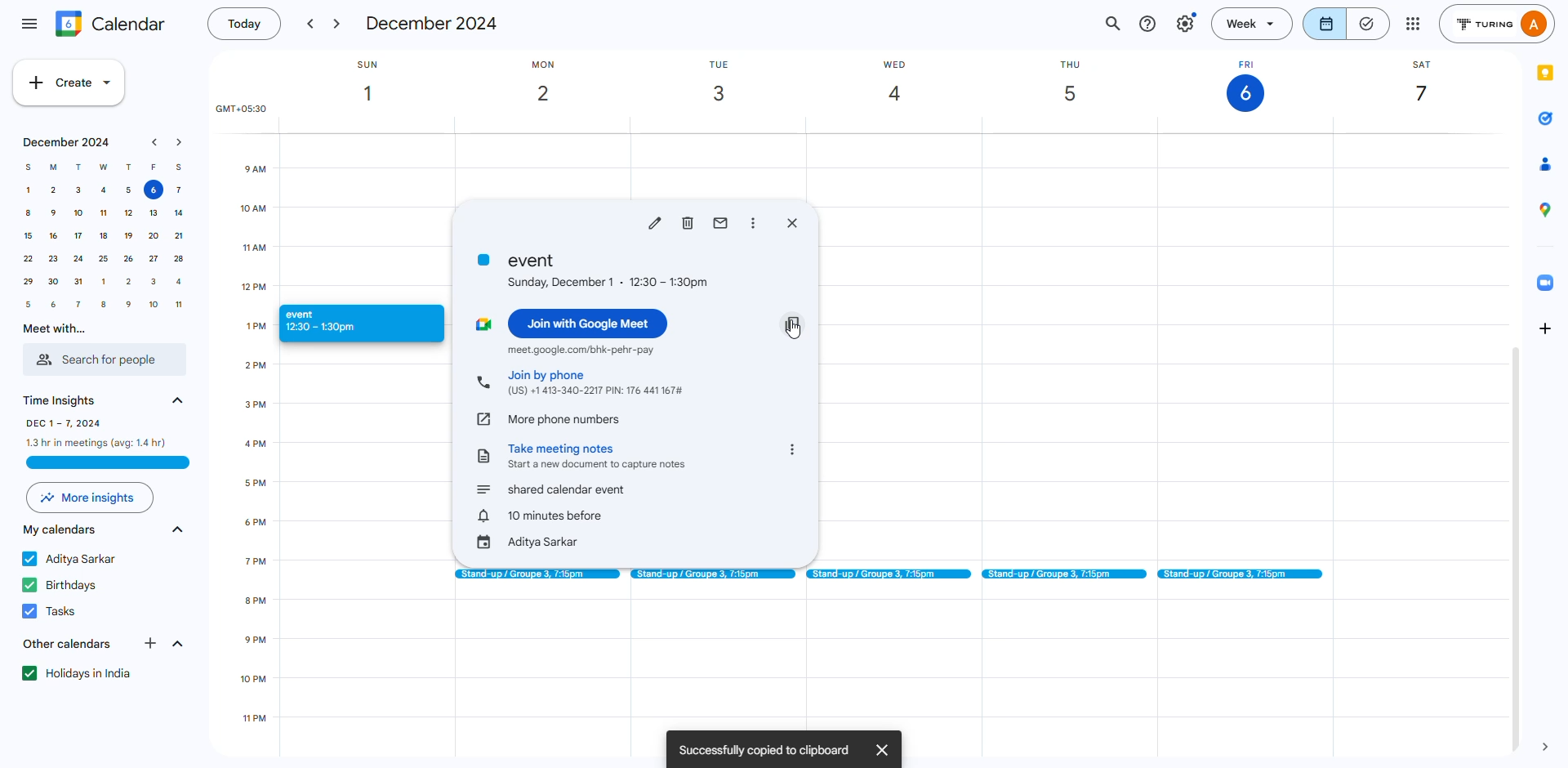 The height and width of the screenshot is (768, 1568). What do you see at coordinates (29, 21) in the screenshot?
I see `meu` at bounding box center [29, 21].